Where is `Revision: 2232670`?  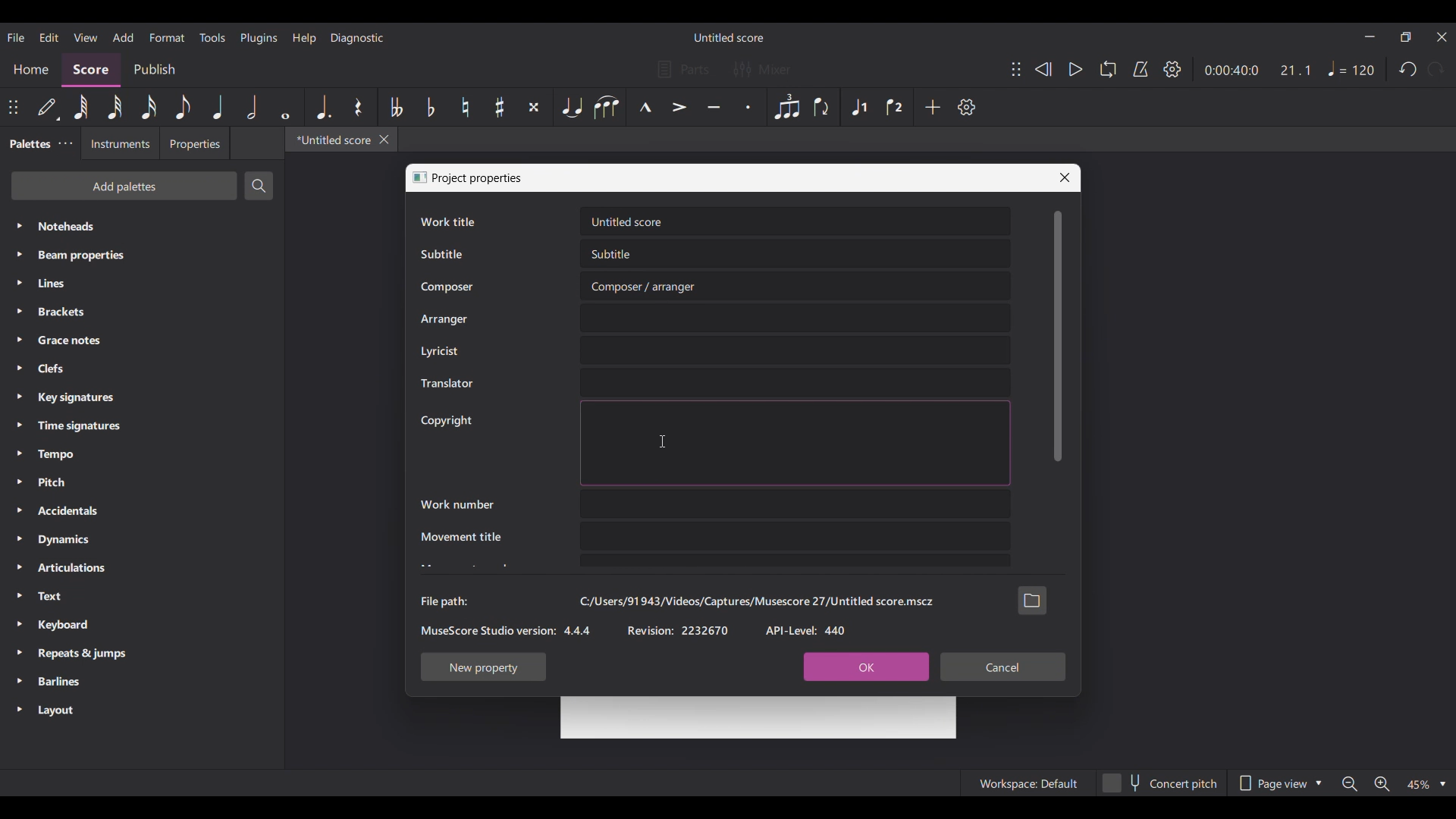 Revision: 2232670 is located at coordinates (678, 630).